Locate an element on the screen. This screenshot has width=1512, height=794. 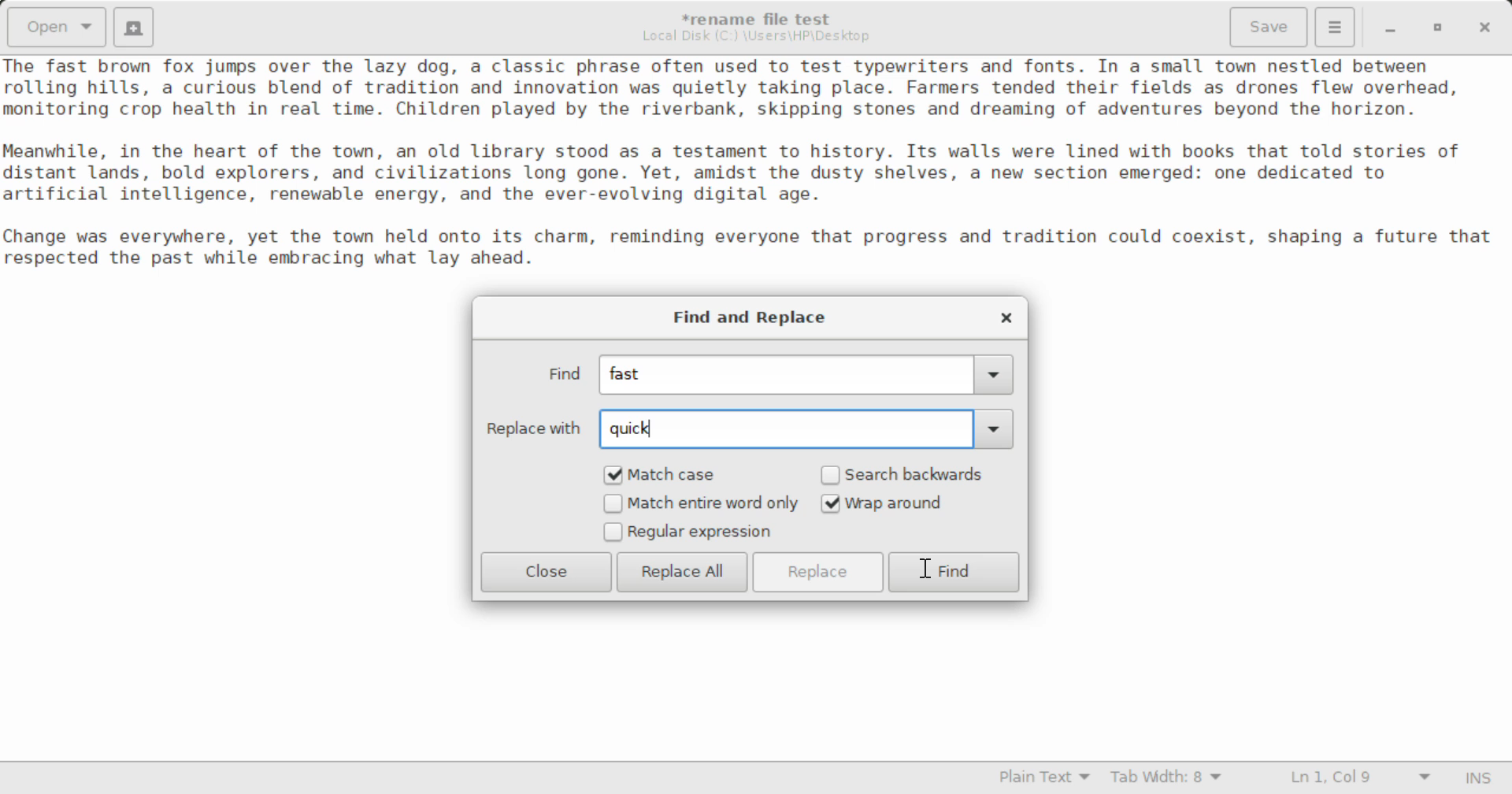
Match entire word only is located at coordinates (700, 505).